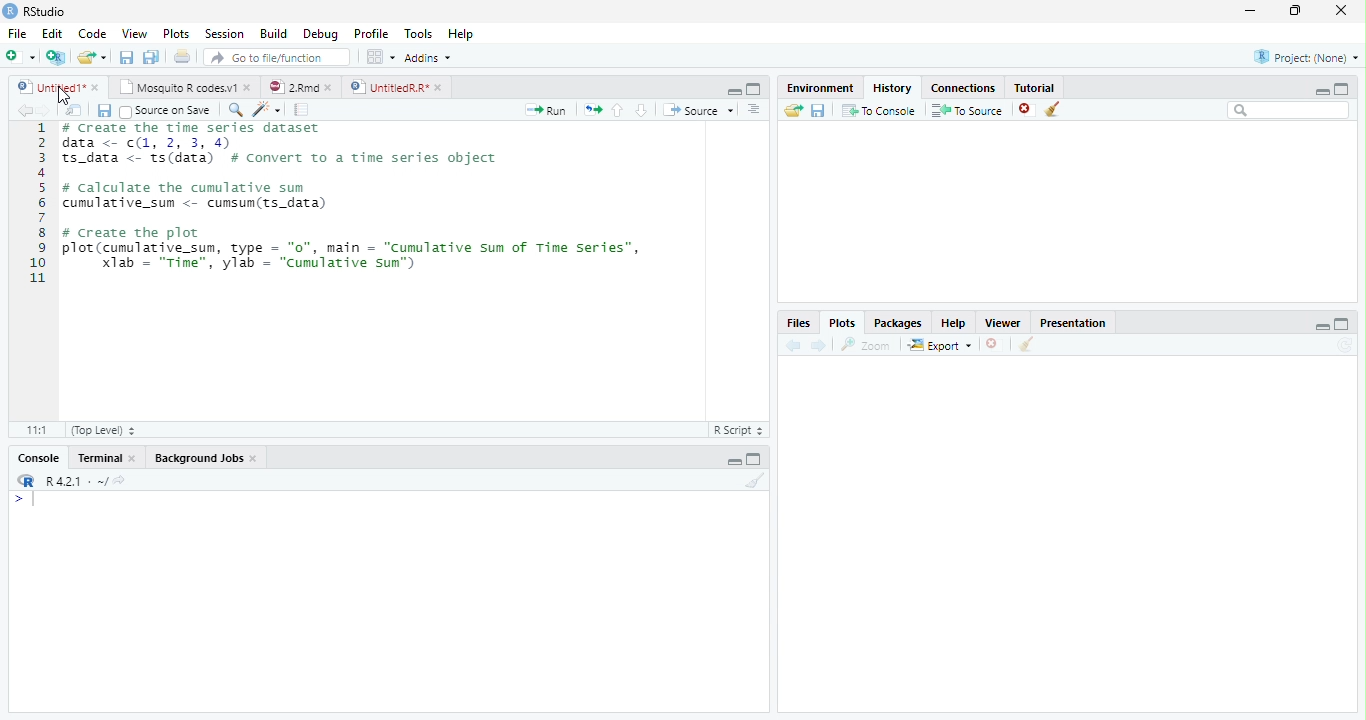  I want to click on Go to the next section , so click(642, 112).